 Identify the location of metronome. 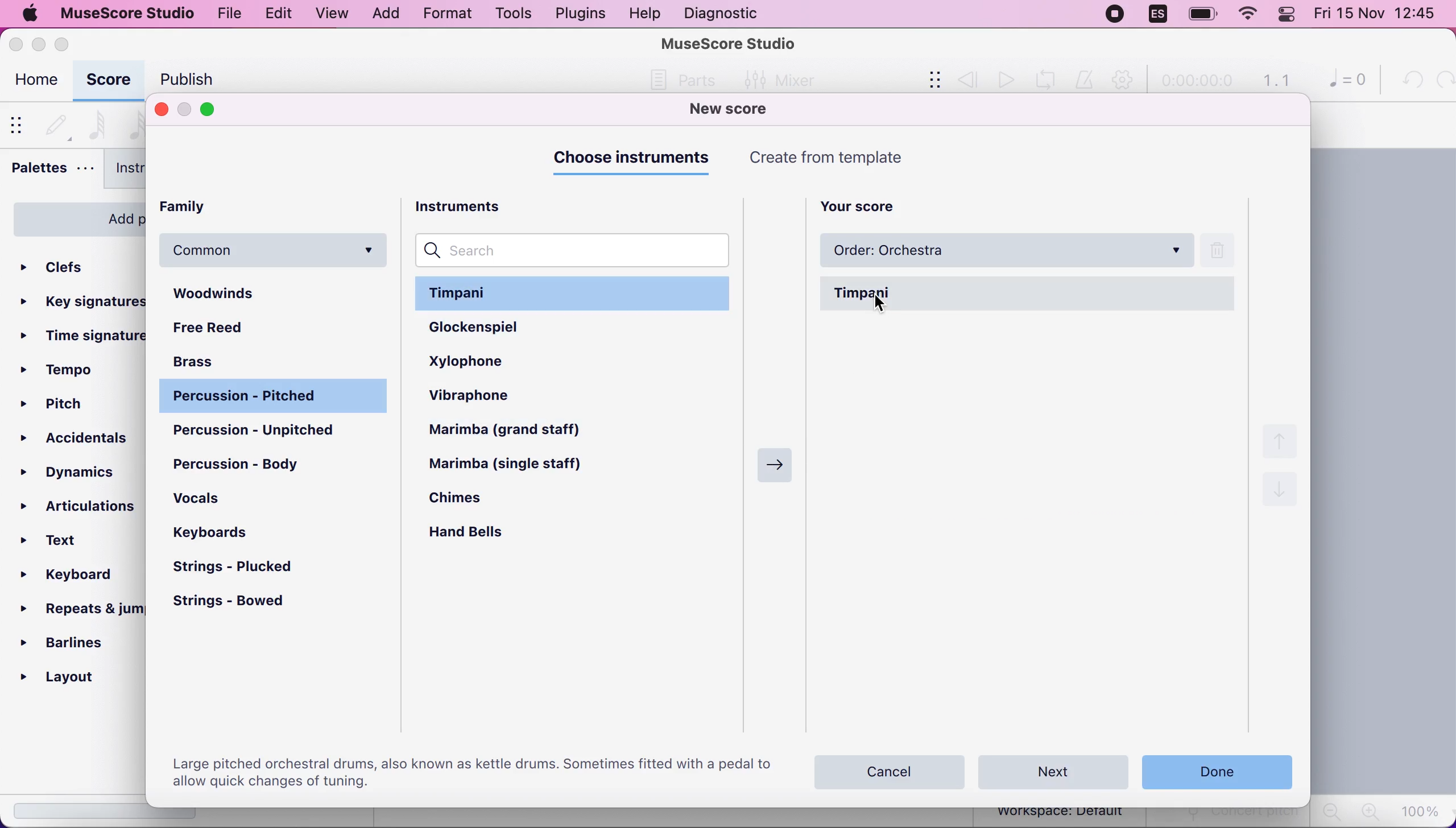
(1086, 80).